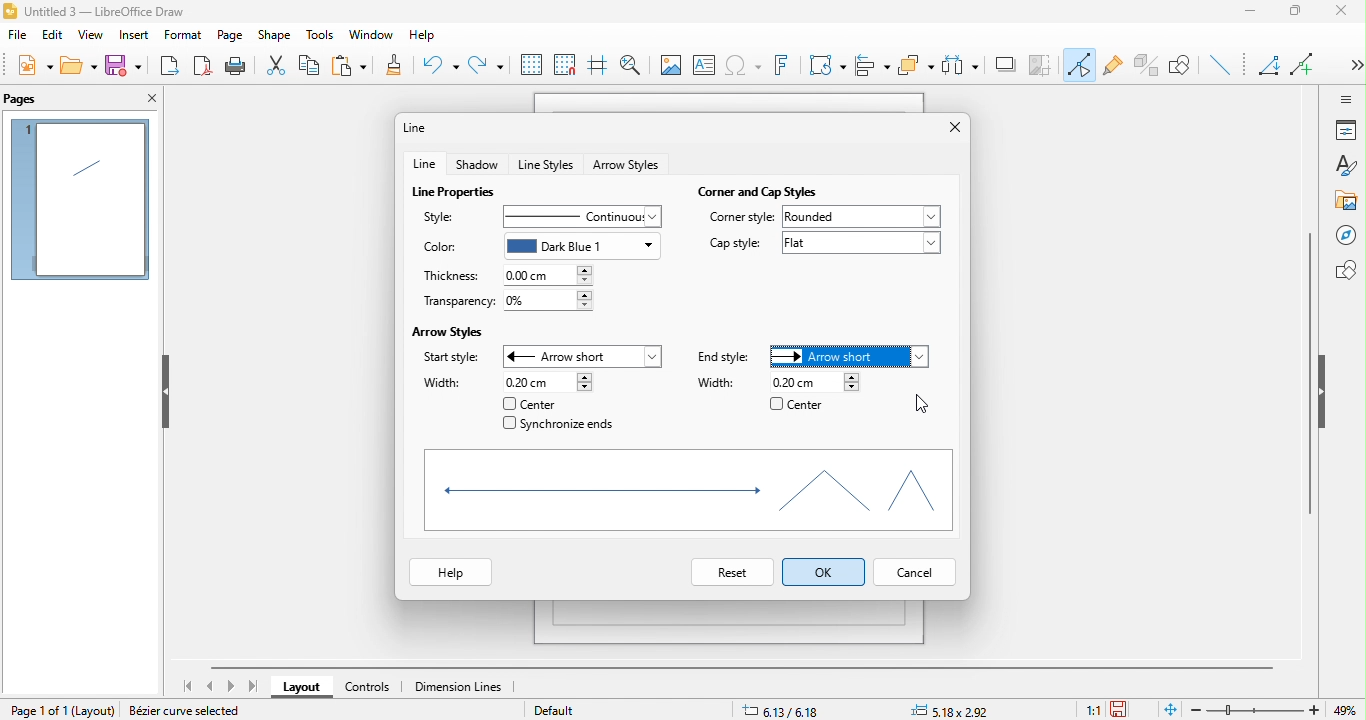 This screenshot has width=1366, height=720. What do you see at coordinates (1081, 67) in the screenshot?
I see `toggle point edit mode` at bounding box center [1081, 67].